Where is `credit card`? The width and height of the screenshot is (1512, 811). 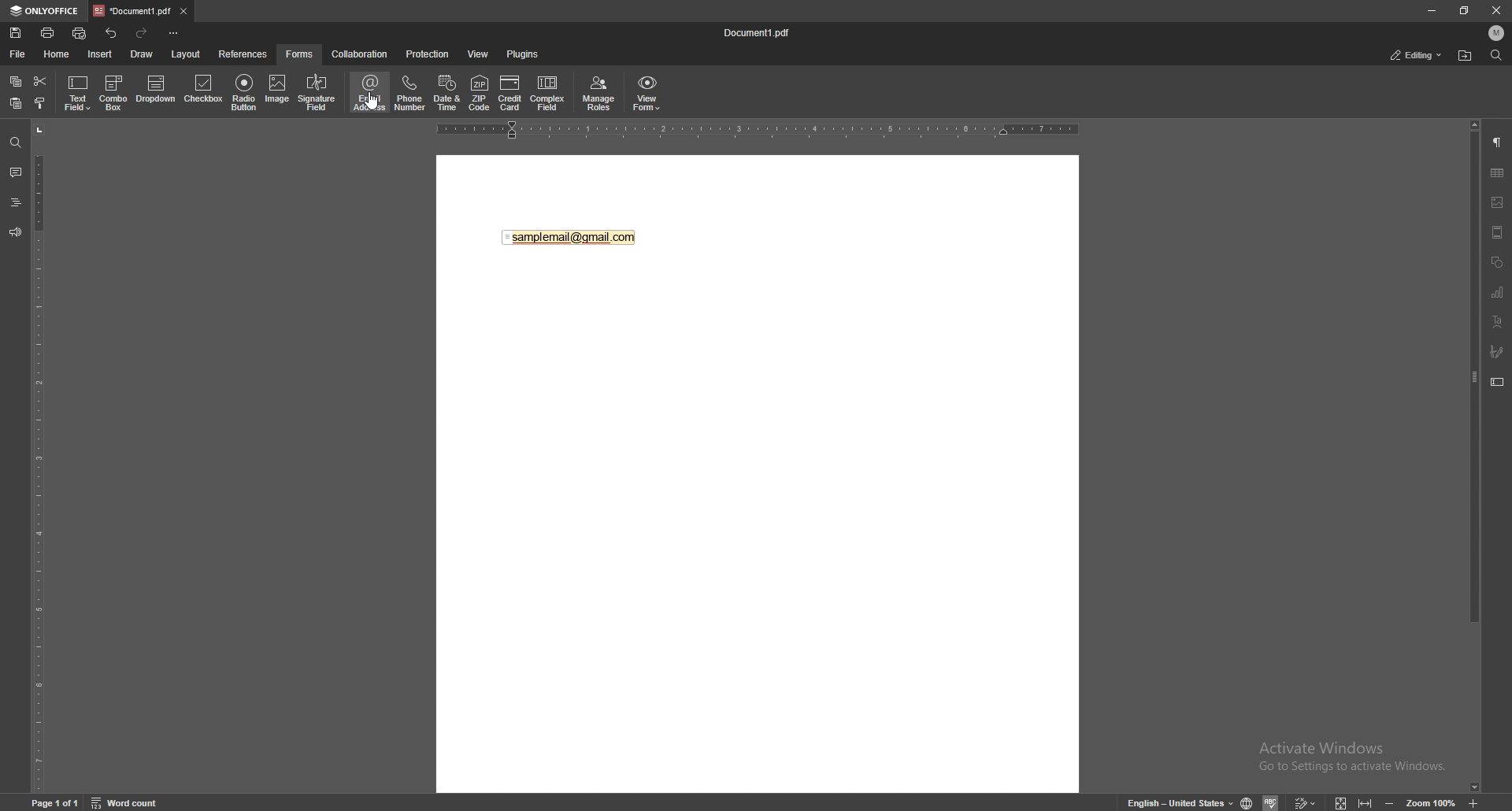 credit card is located at coordinates (510, 93).